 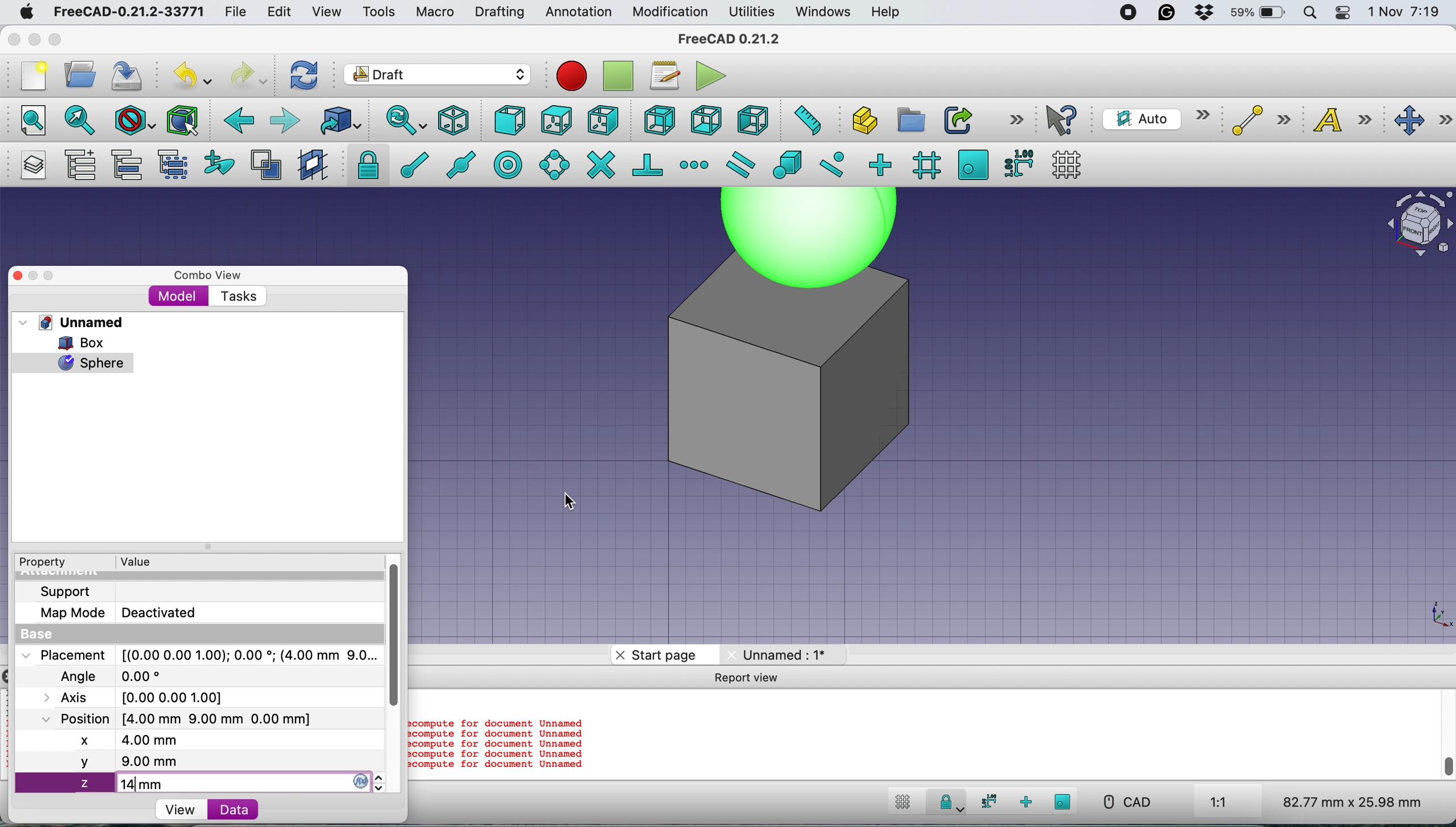 What do you see at coordinates (284, 120) in the screenshot?
I see `forward` at bounding box center [284, 120].